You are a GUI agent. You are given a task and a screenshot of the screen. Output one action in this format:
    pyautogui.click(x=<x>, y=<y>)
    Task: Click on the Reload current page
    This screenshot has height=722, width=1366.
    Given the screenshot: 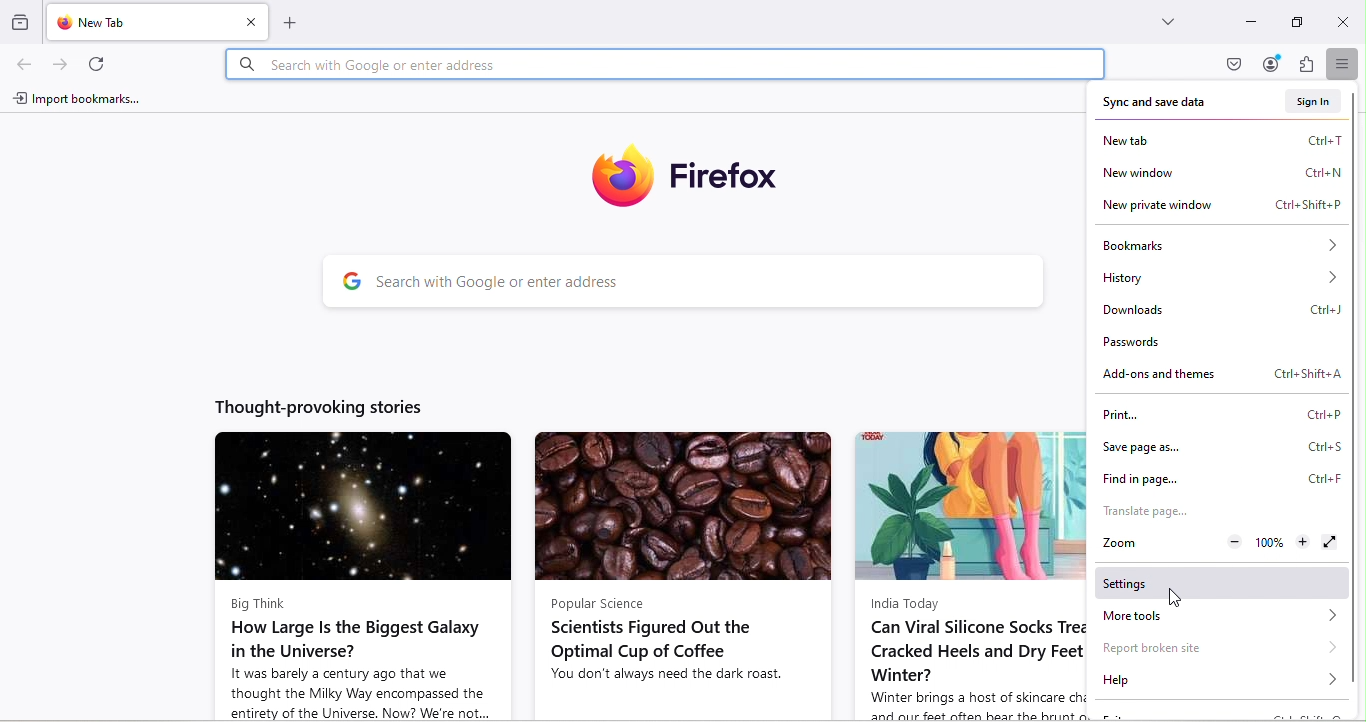 What is the action you would take?
    pyautogui.click(x=101, y=65)
    